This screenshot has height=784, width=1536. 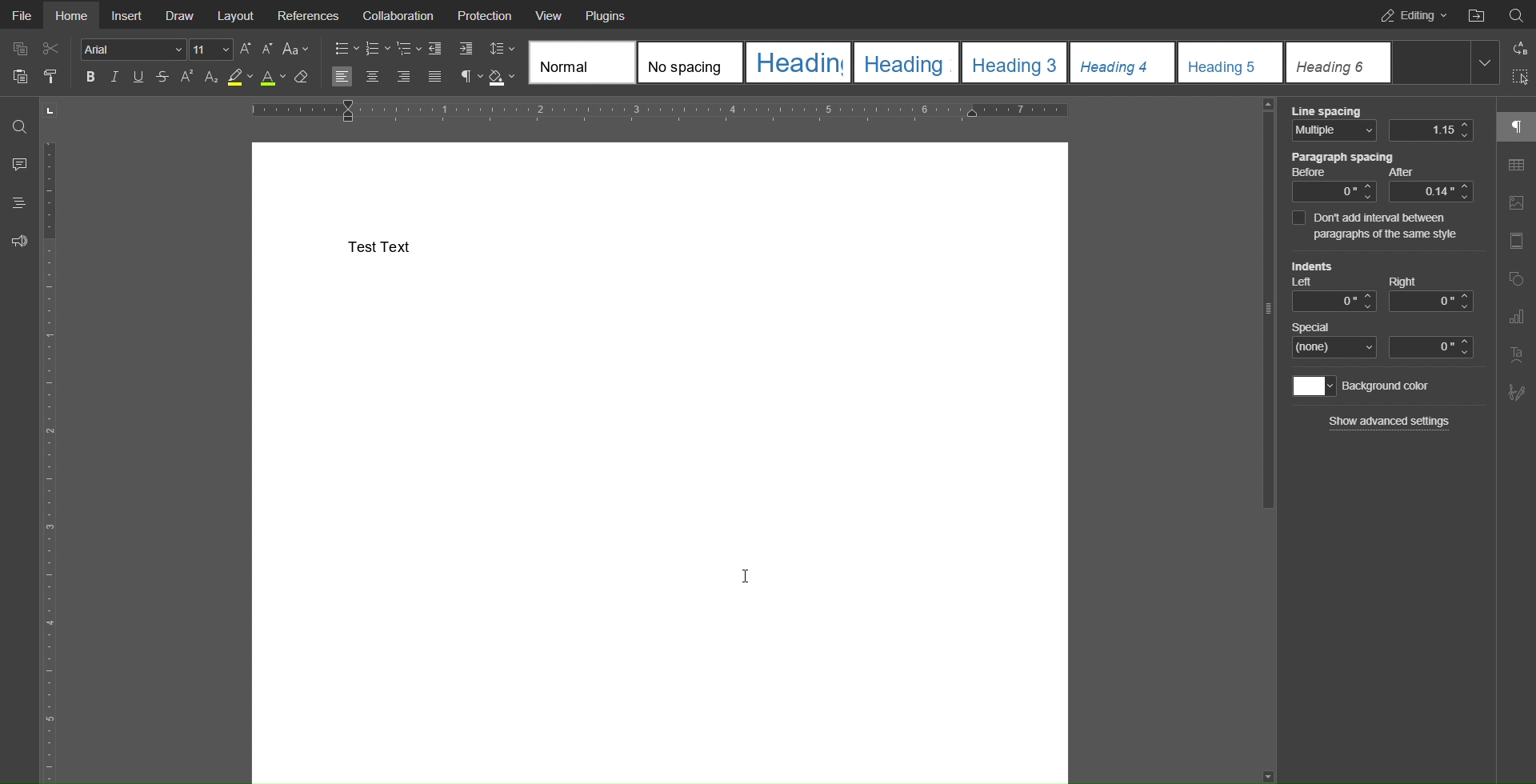 I want to click on Graph Settings, so click(x=1516, y=317).